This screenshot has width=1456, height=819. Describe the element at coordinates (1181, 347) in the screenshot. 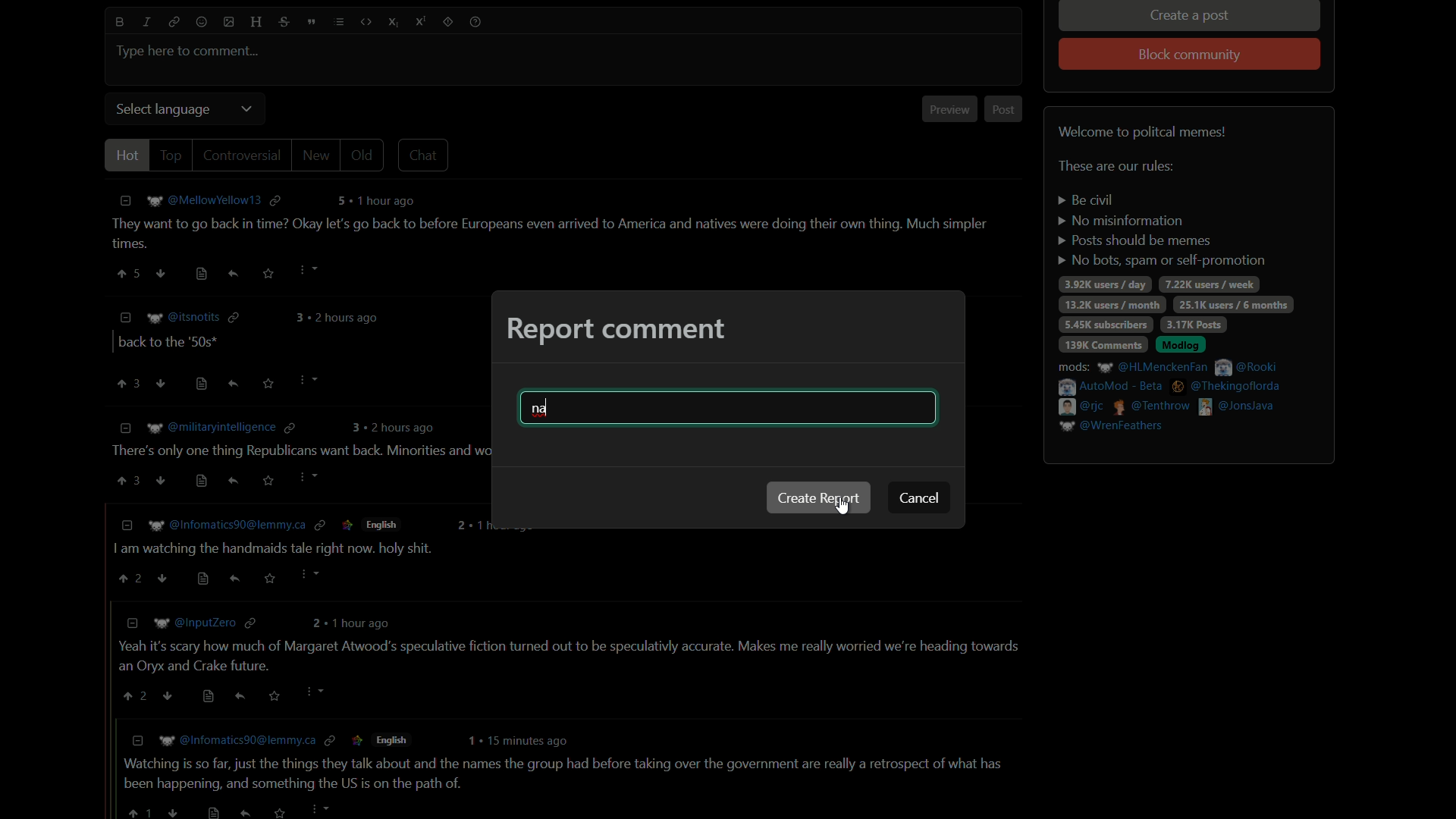

I see `modlog` at that location.